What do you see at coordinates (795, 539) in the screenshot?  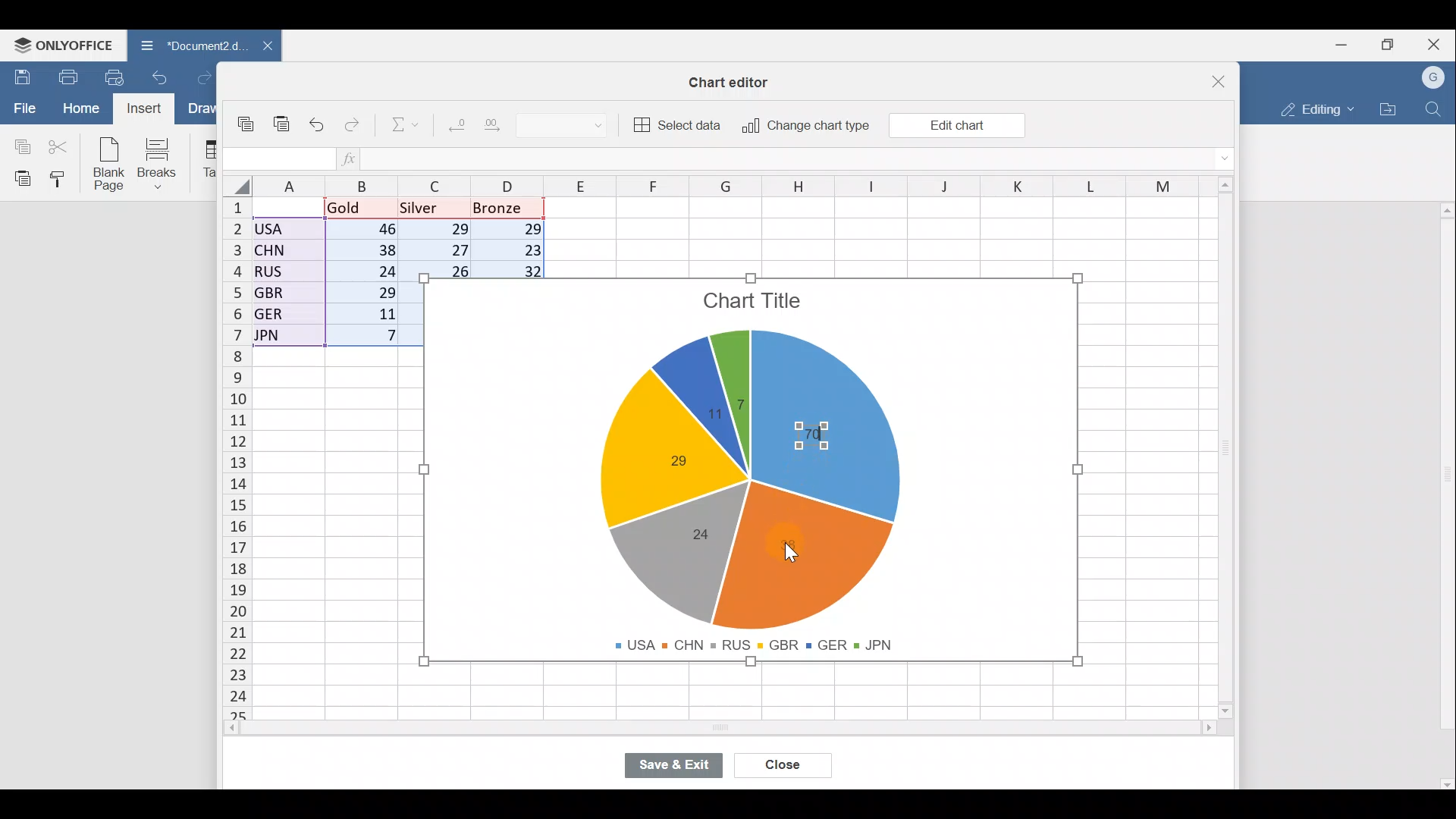 I see `Cursor on chart label` at bounding box center [795, 539].